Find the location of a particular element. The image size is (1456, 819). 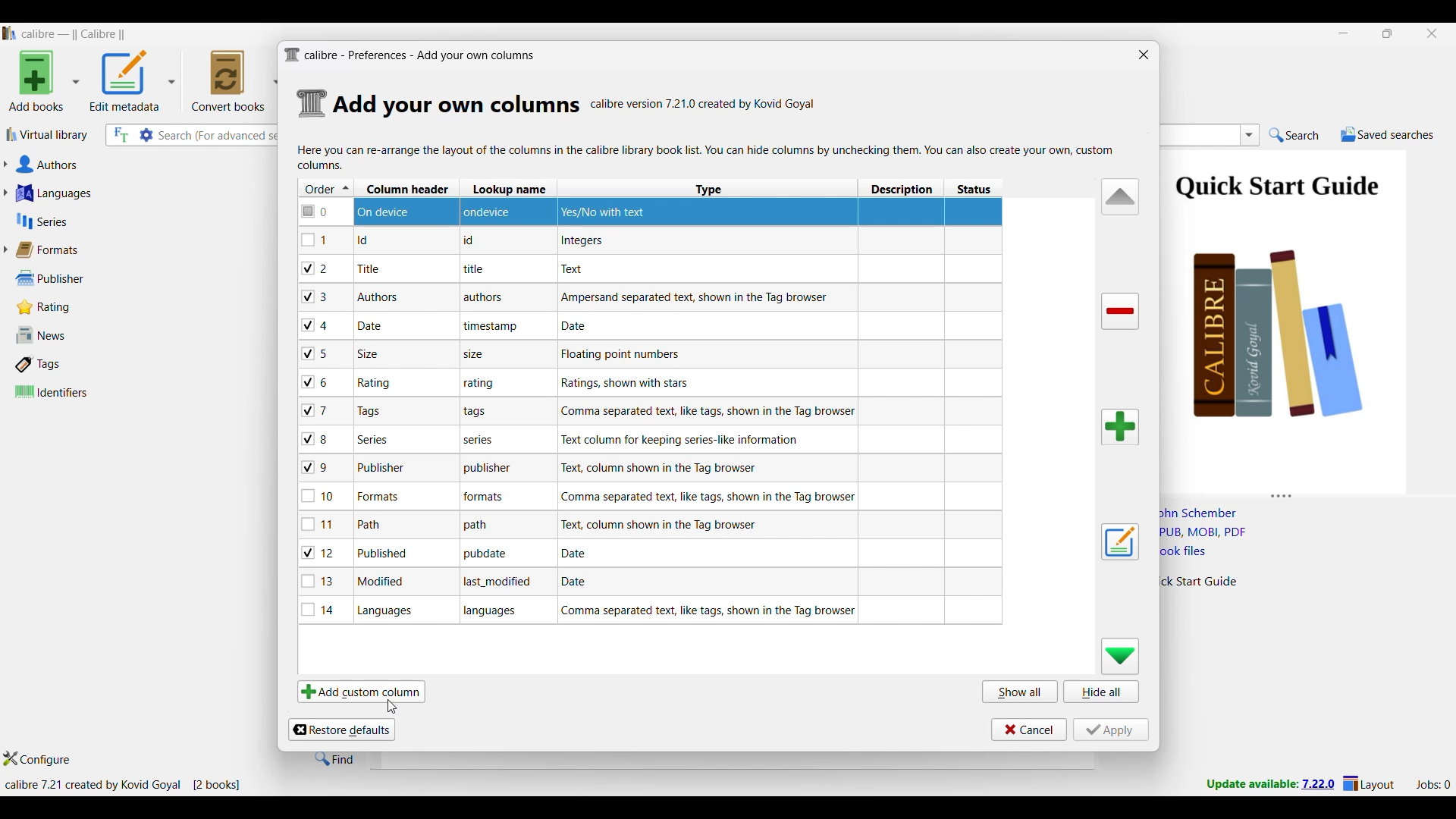

Description column is located at coordinates (901, 187).